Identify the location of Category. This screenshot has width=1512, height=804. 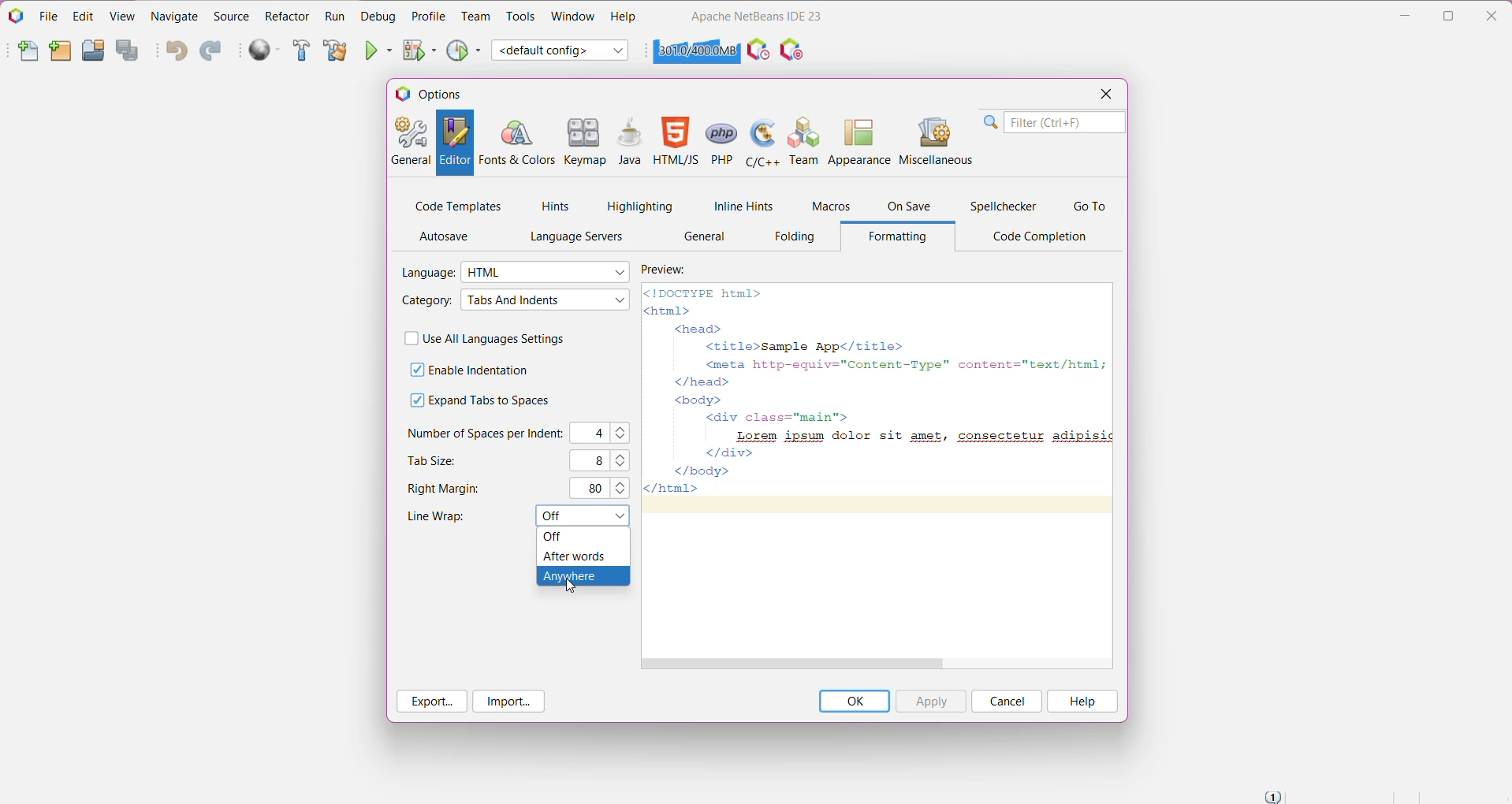
(425, 301).